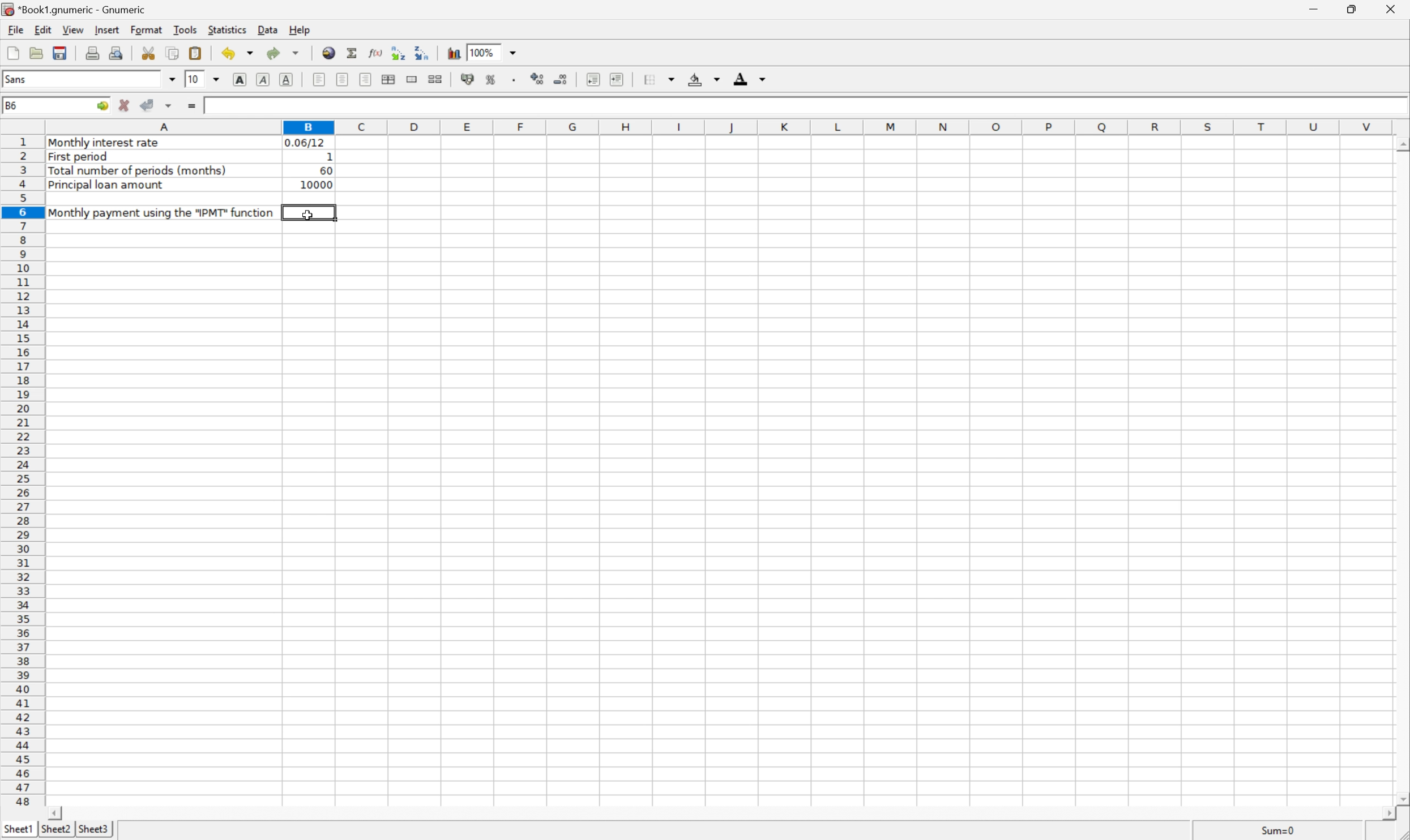  Describe the element at coordinates (366, 79) in the screenshot. I see `Align Right` at that location.